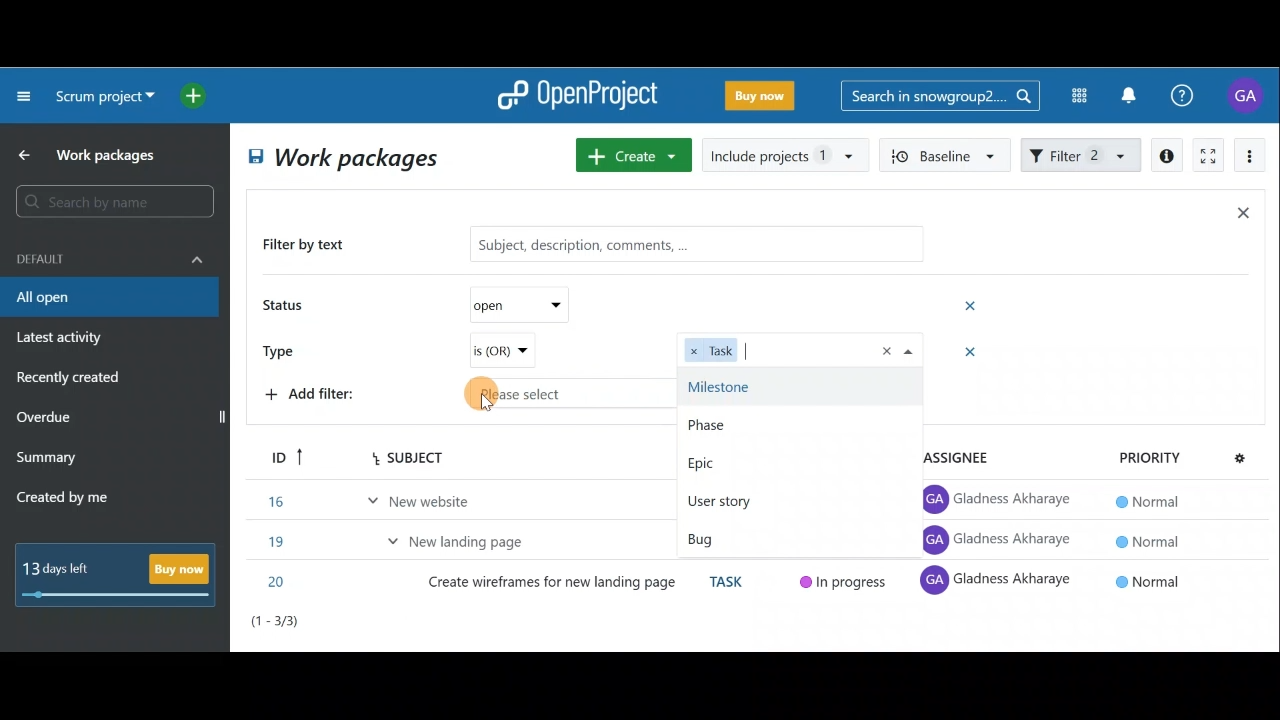  I want to click on Item 15, so click(465, 536).